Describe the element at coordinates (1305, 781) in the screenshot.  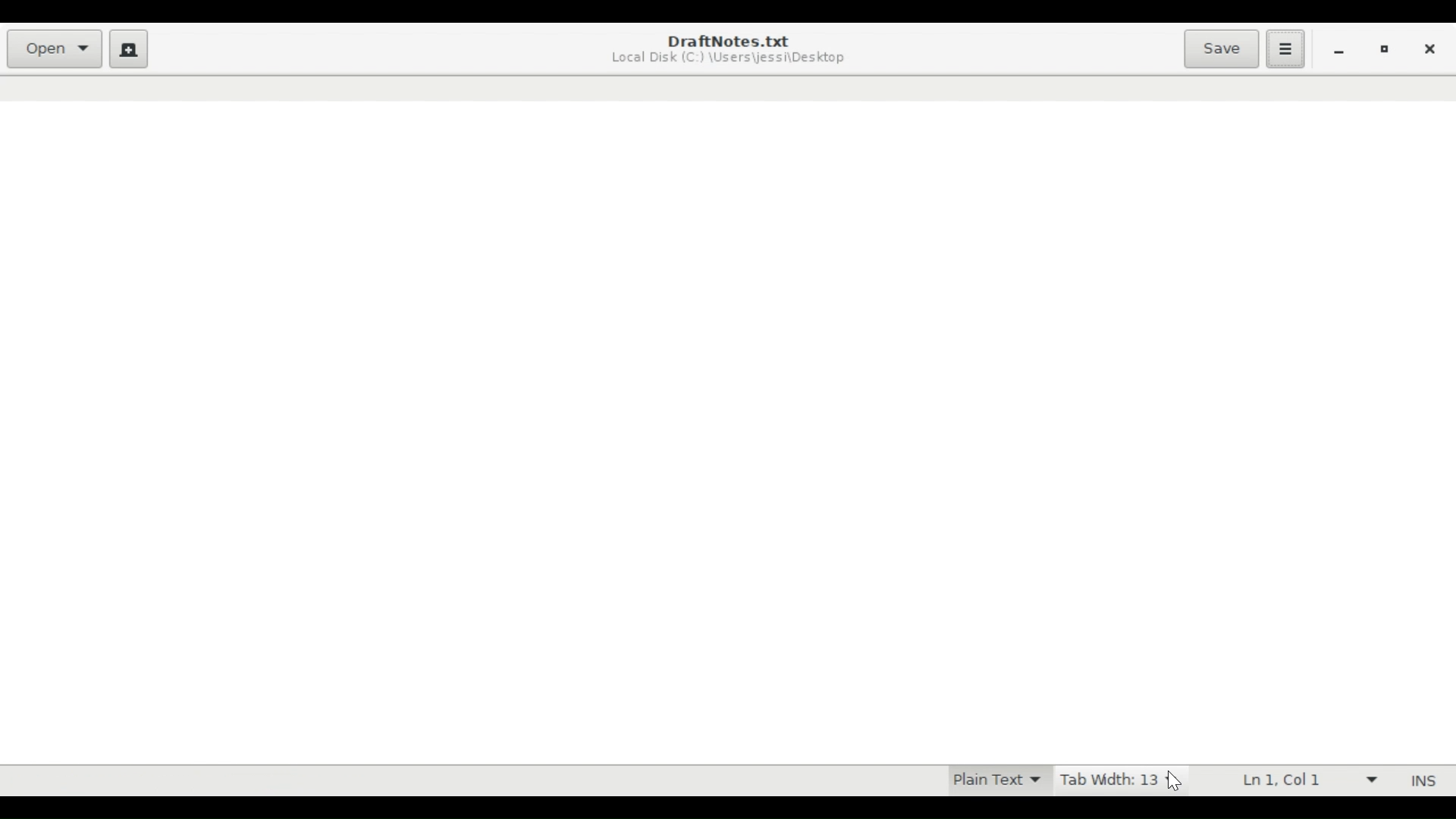
I see `Ln 1, Col 1` at that location.